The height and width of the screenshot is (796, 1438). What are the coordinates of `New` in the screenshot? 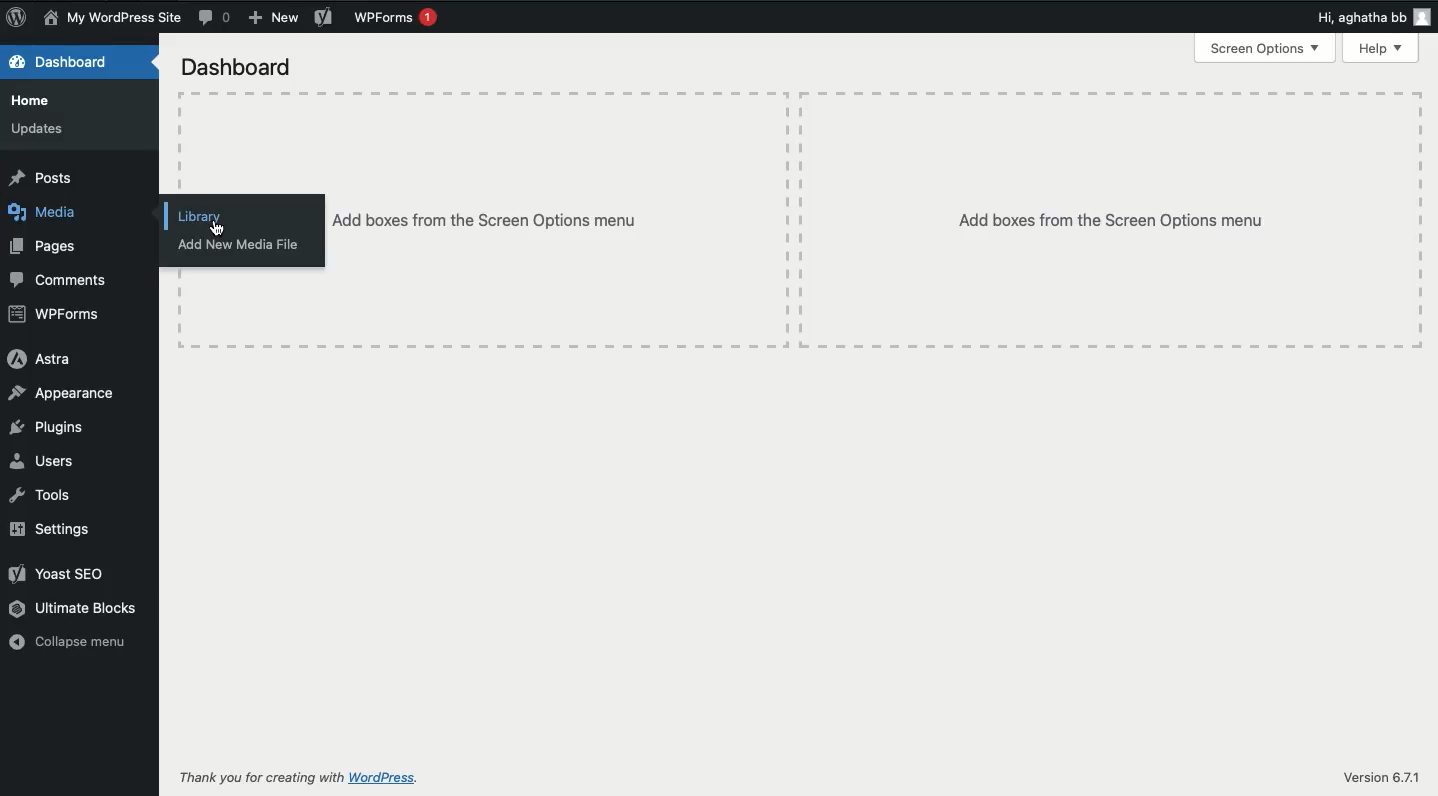 It's located at (275, 20).